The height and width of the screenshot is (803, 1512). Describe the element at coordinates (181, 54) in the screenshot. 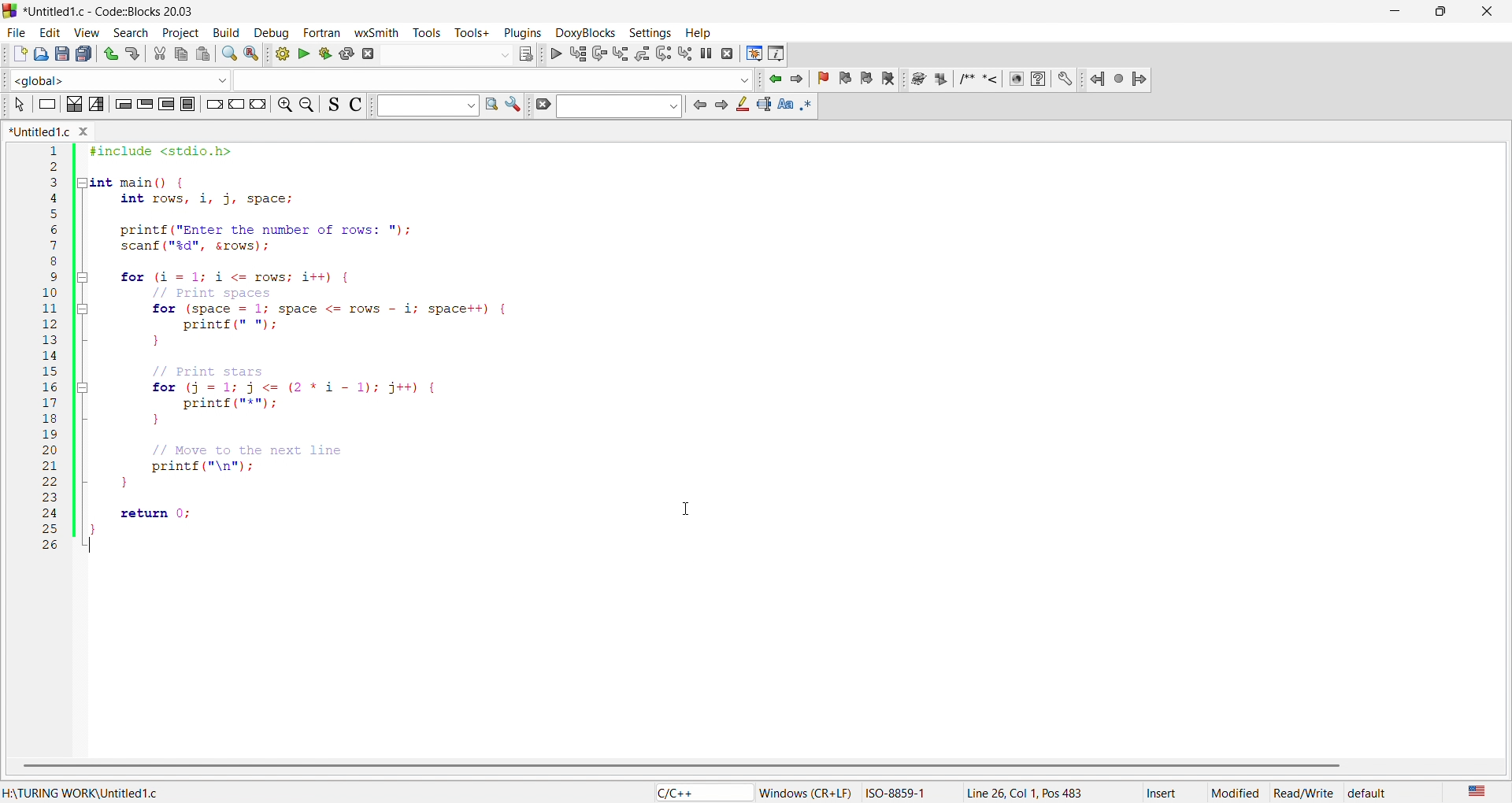

I see `copy` at that location.